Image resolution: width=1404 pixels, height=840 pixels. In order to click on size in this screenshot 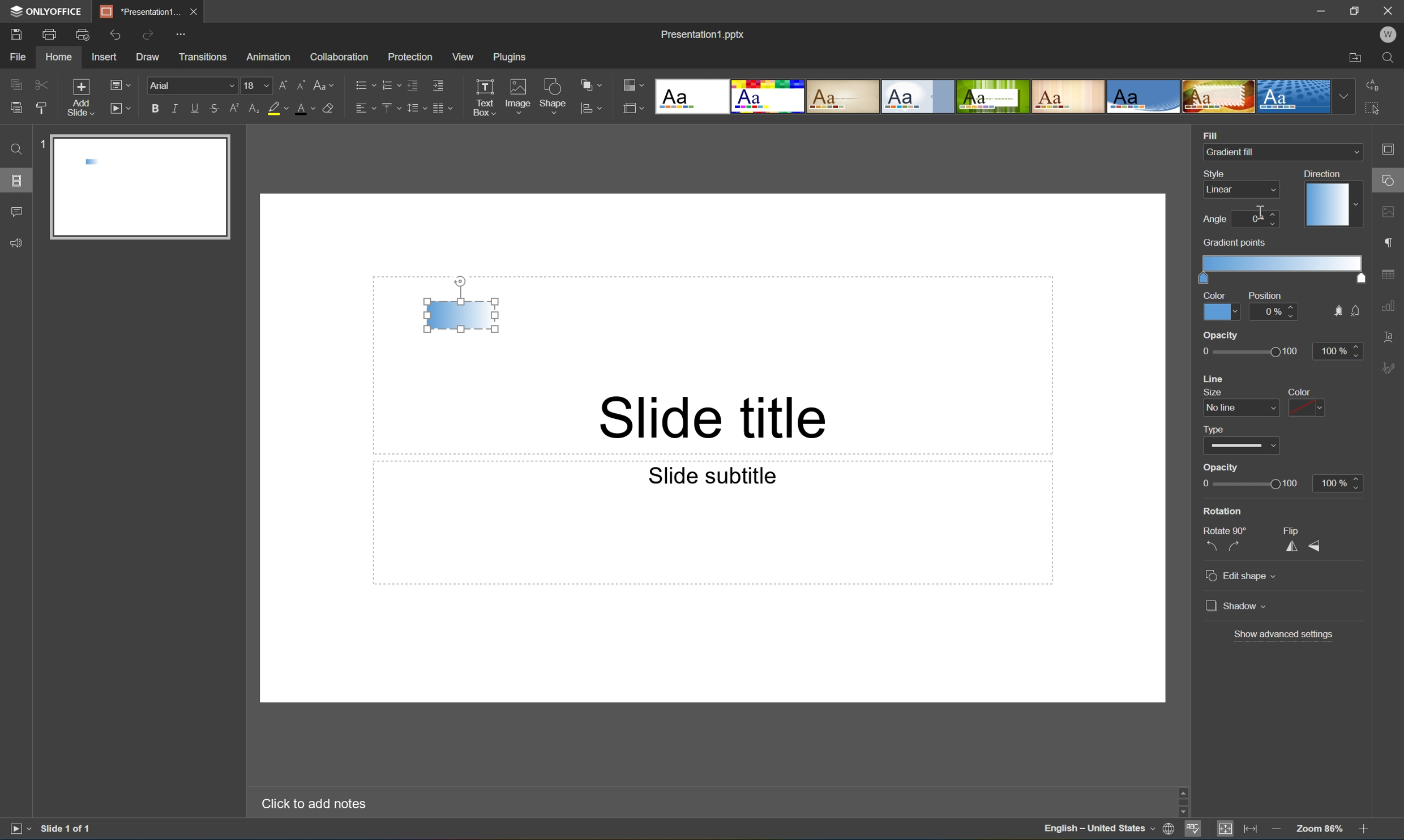, I will do `click(1210, 392)`.